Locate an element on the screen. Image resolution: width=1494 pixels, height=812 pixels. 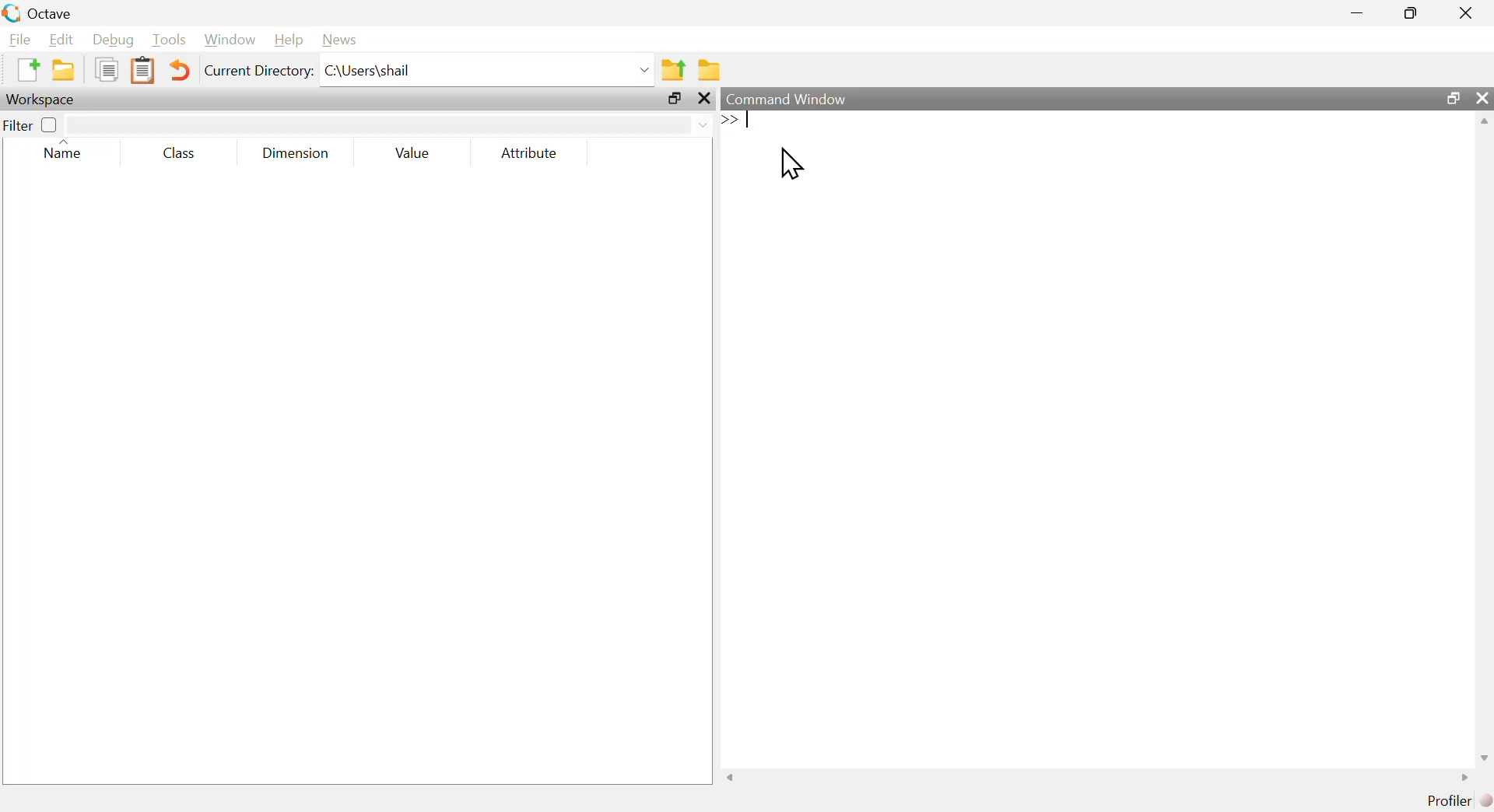
open folder is located at coordinates (60, 71).